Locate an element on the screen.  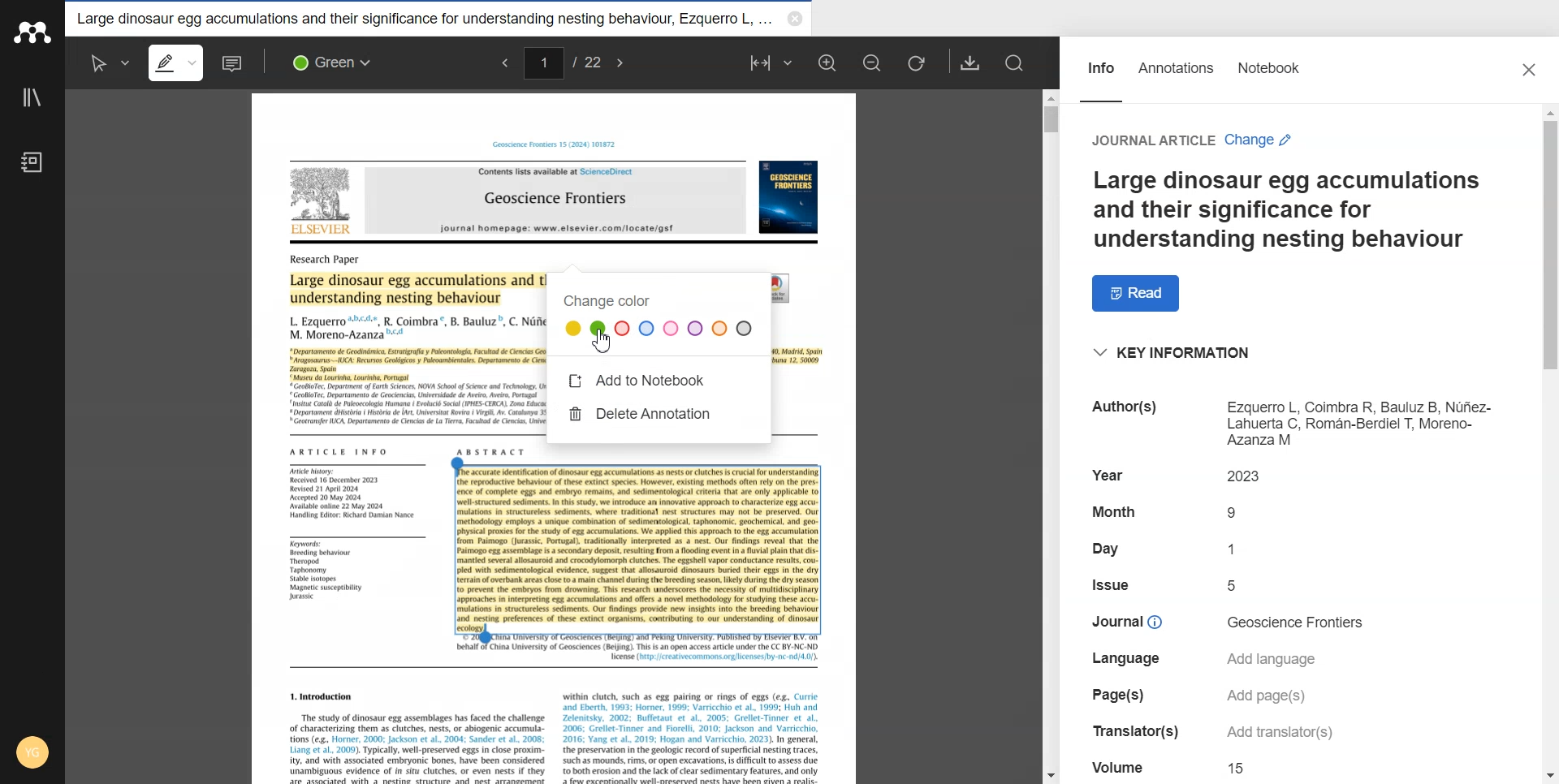
Vertical scroll bar is located at coordinates (1544, 444).